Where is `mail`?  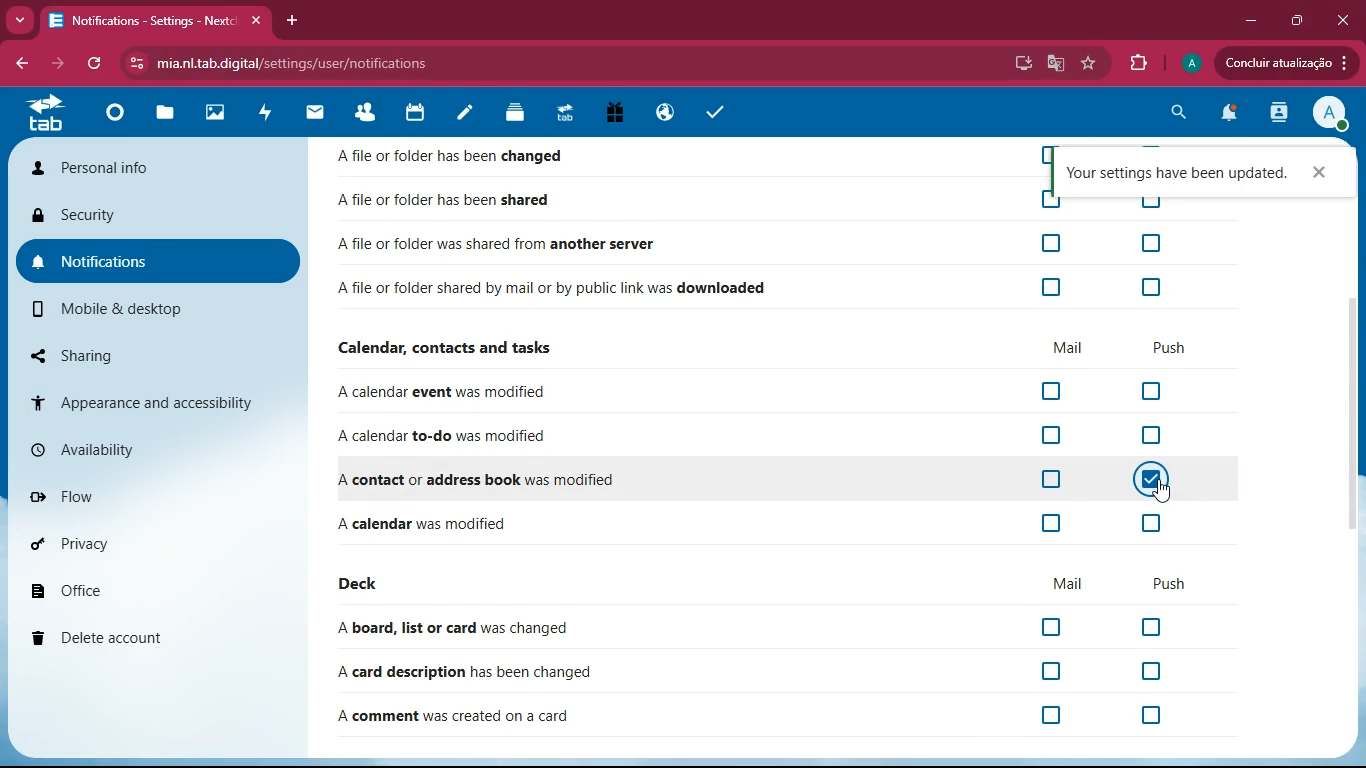 mail is located at coordinates (320, 115).